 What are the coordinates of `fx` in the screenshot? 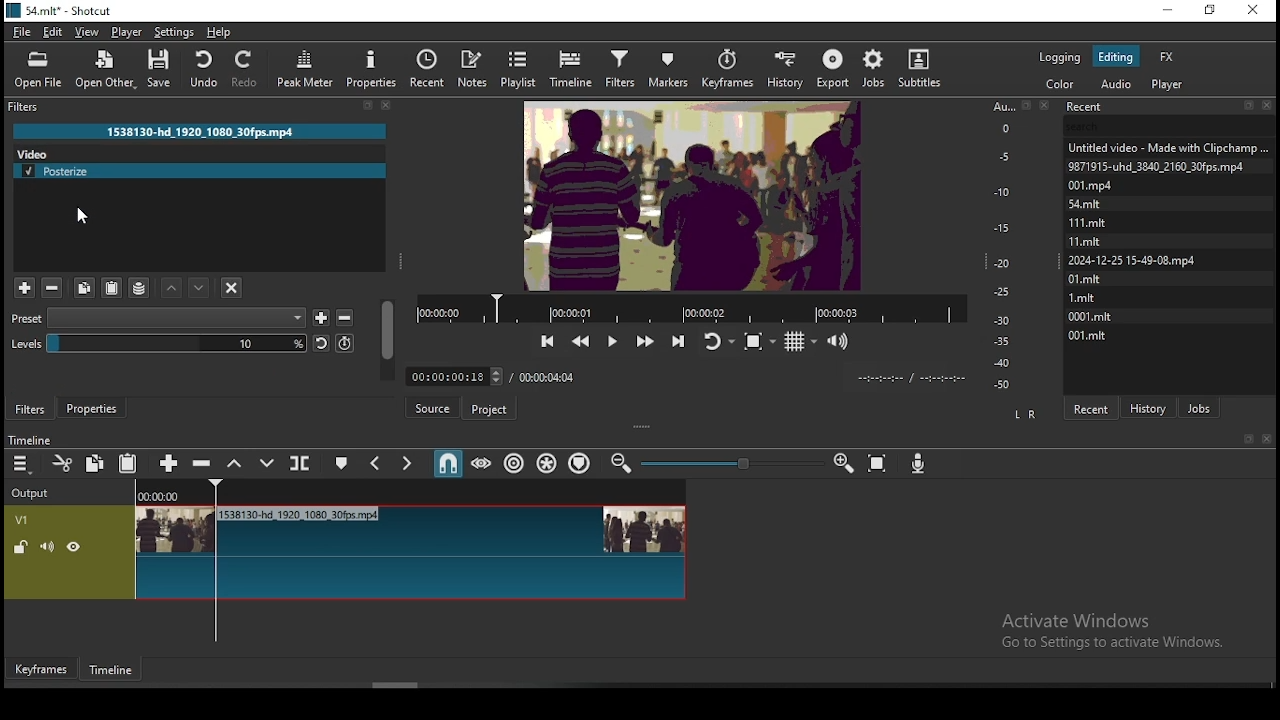 It's located at (1173, 56).